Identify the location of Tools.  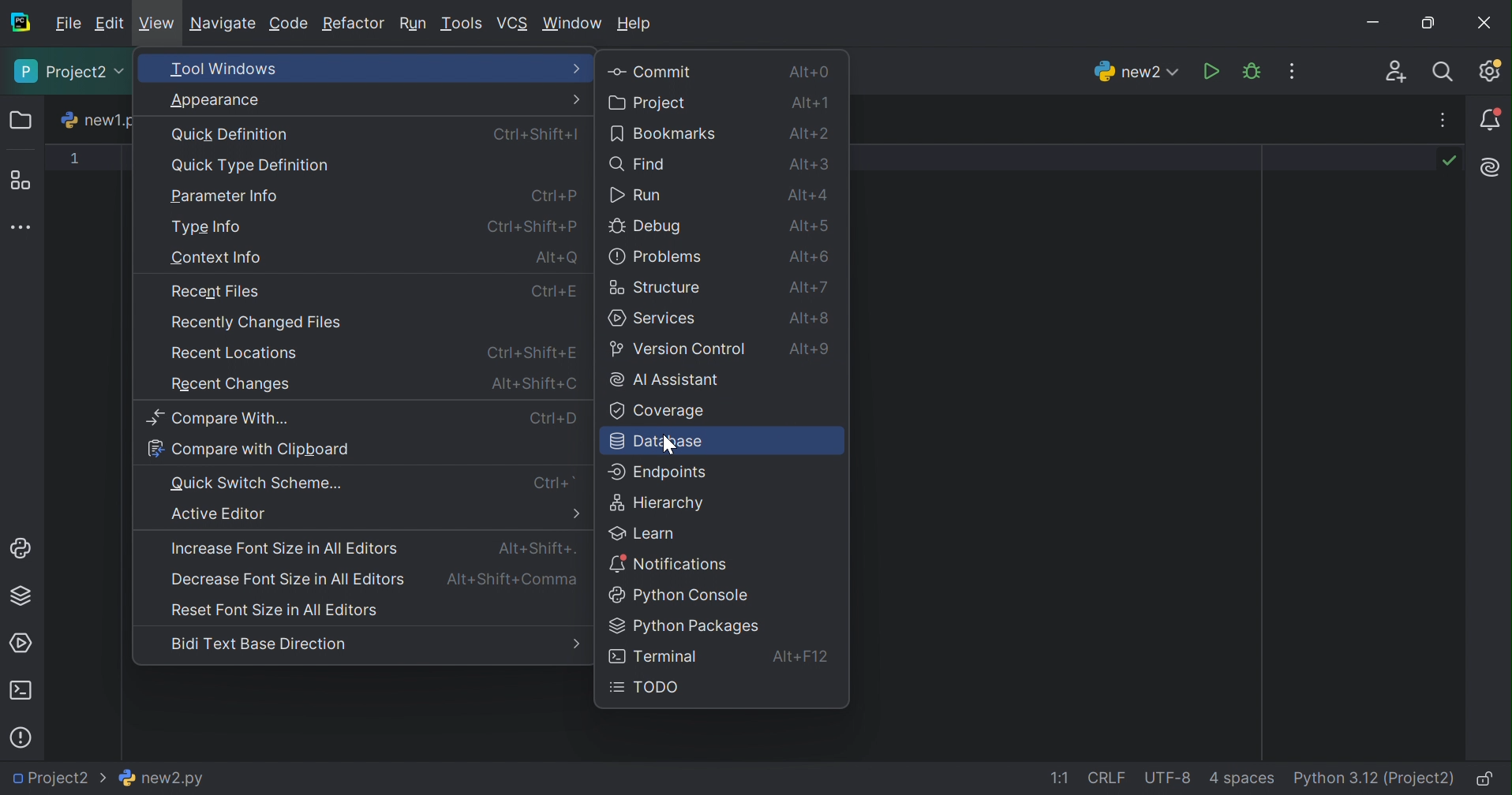
(462, 24).